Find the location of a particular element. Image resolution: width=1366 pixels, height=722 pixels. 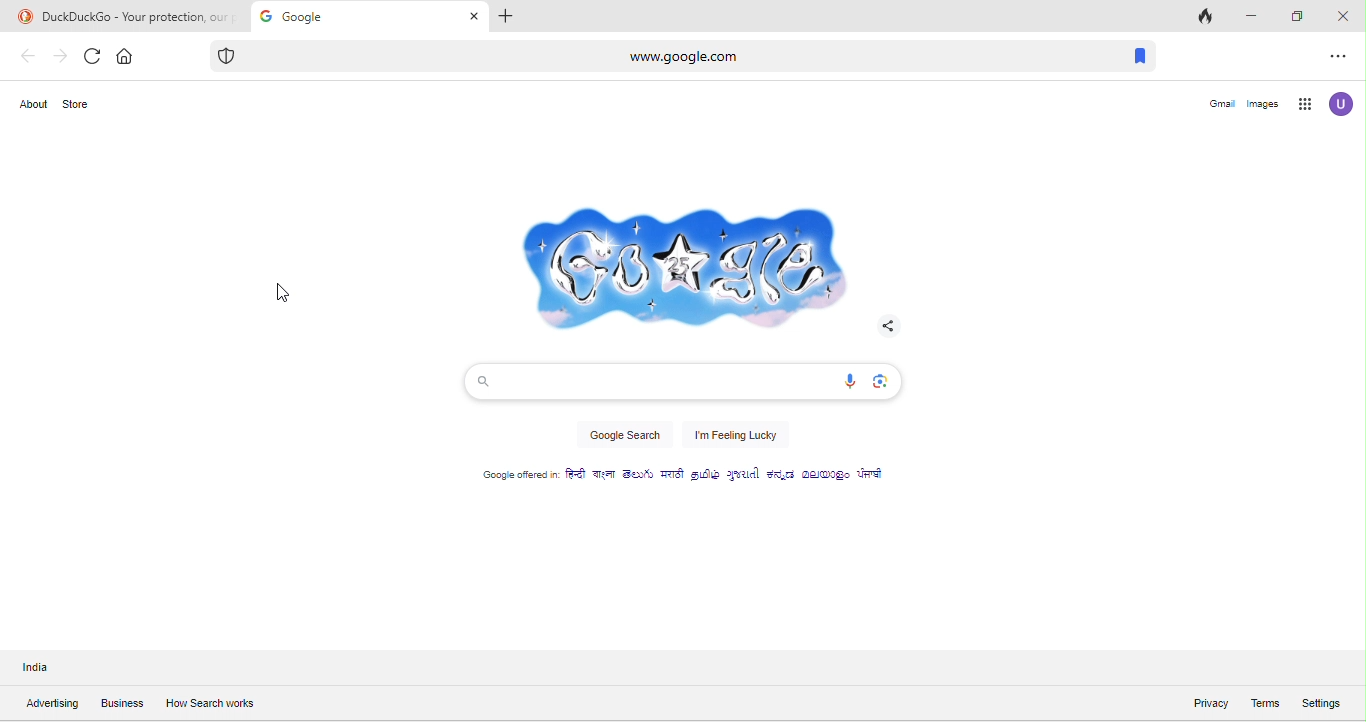

Share is located at coordinates (886, 325).